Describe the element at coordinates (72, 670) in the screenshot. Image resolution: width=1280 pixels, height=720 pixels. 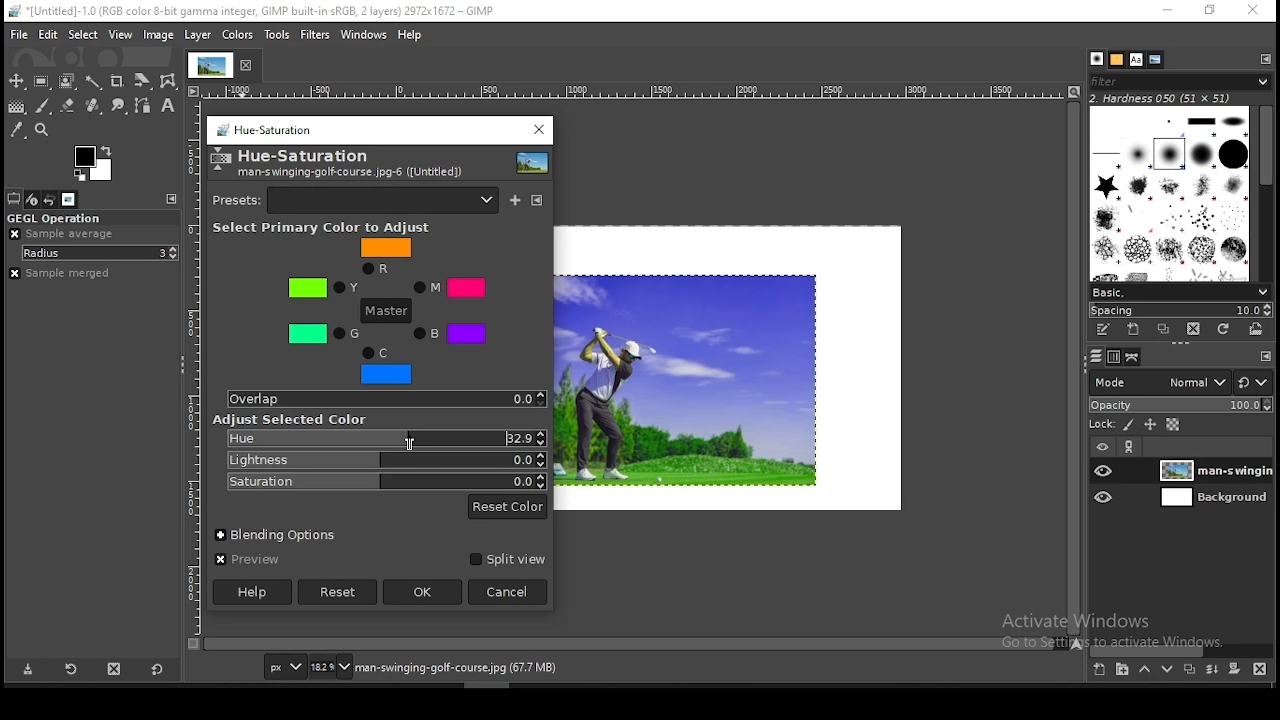
I see `restore tool preset` at that location.